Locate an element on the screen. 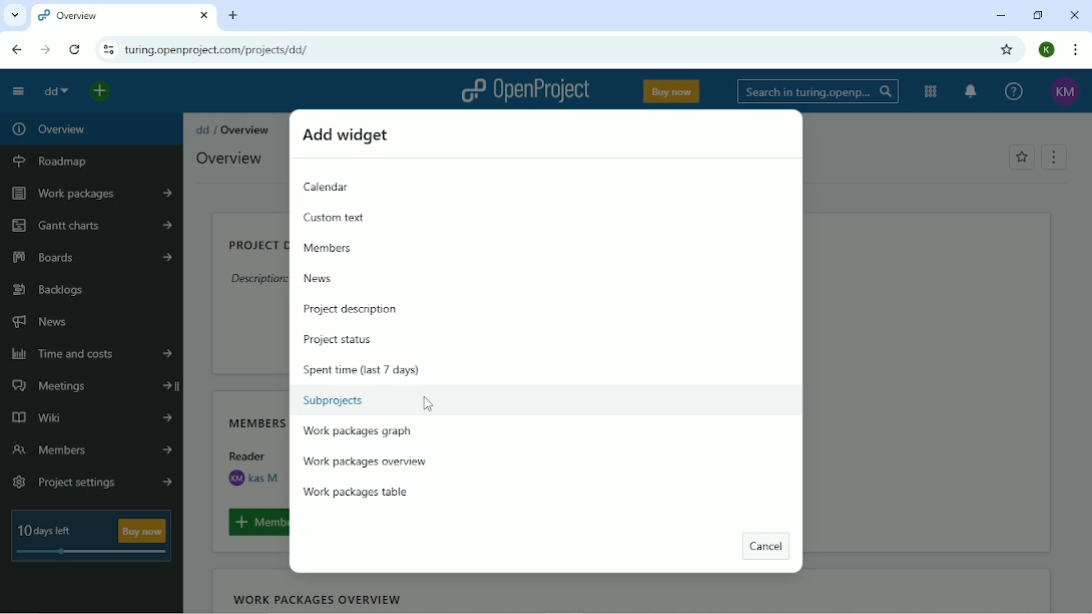 The image size is (1092, 614). New tab is located at coordinates (236, 17).